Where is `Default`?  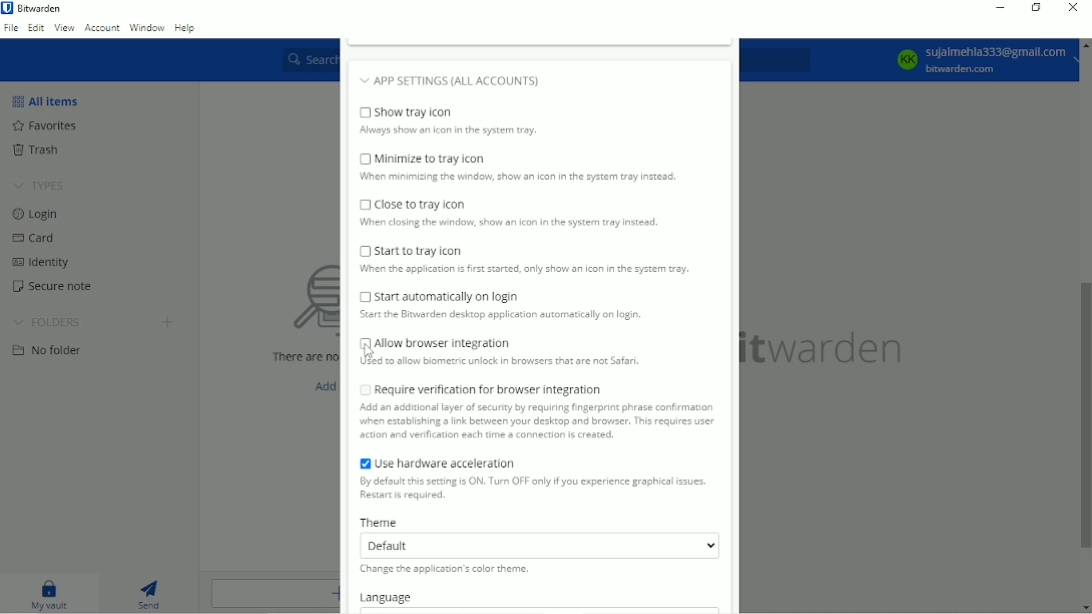
Default is located at coordinates (538, 545).